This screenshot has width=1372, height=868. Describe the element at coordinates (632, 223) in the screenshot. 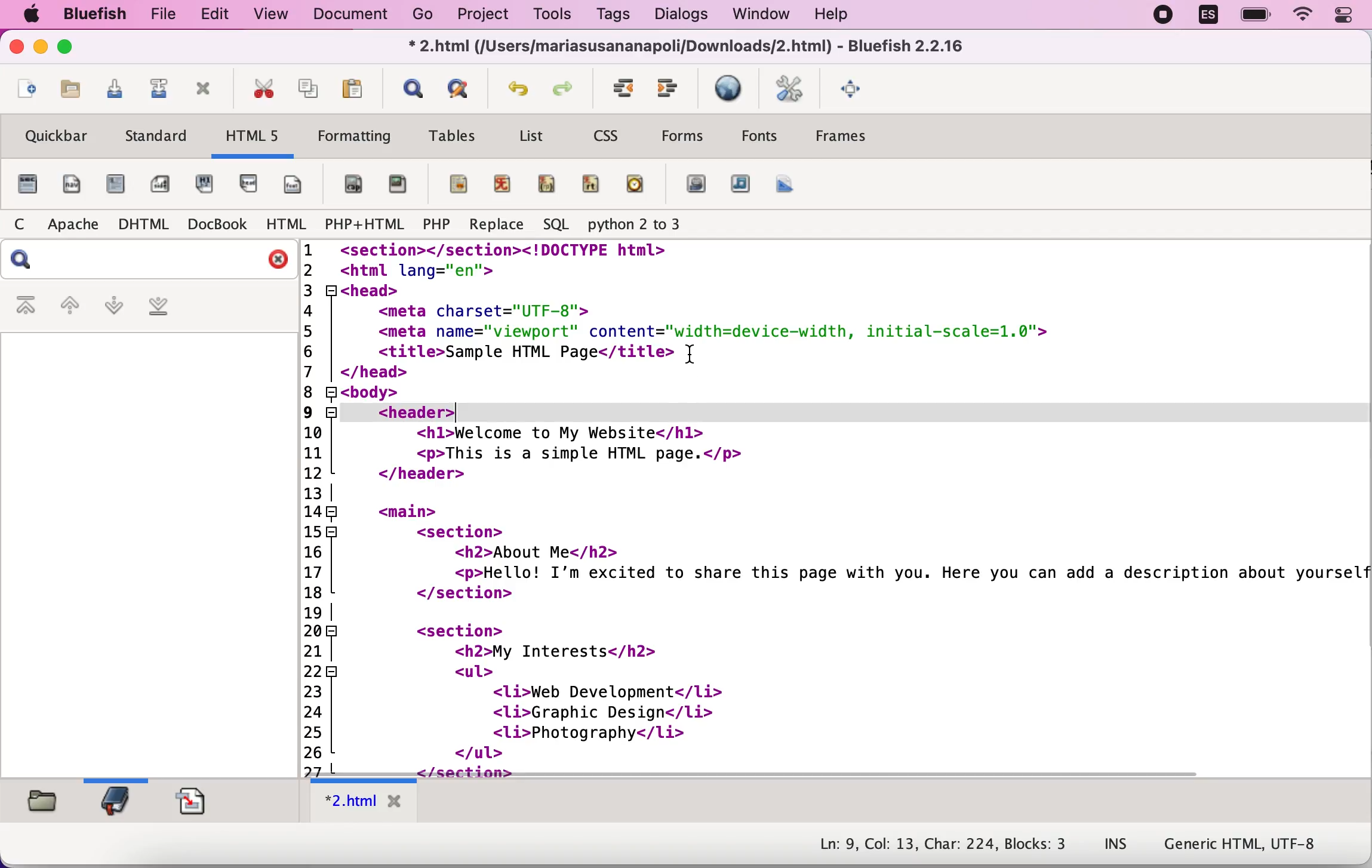

I see `python 2 to 3` at that location.